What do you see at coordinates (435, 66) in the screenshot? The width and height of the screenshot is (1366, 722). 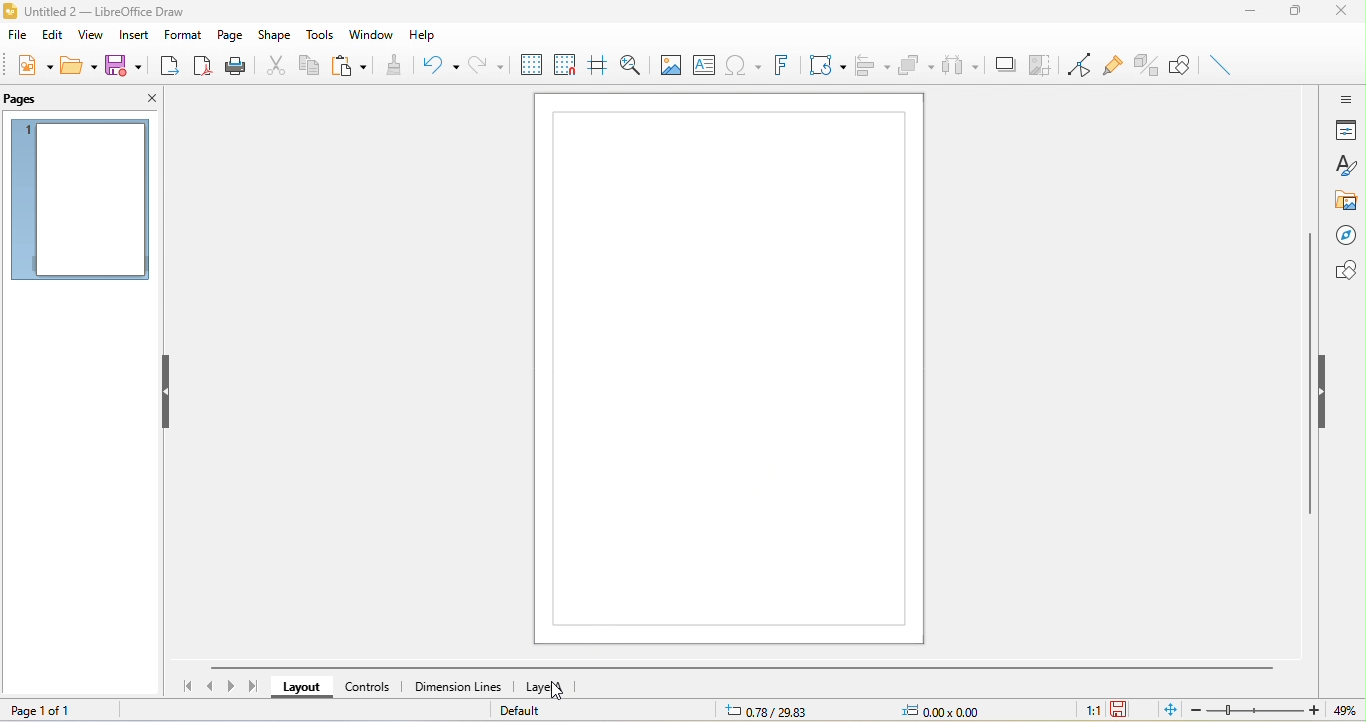 I see `undo` at bounding box center [435, 66].